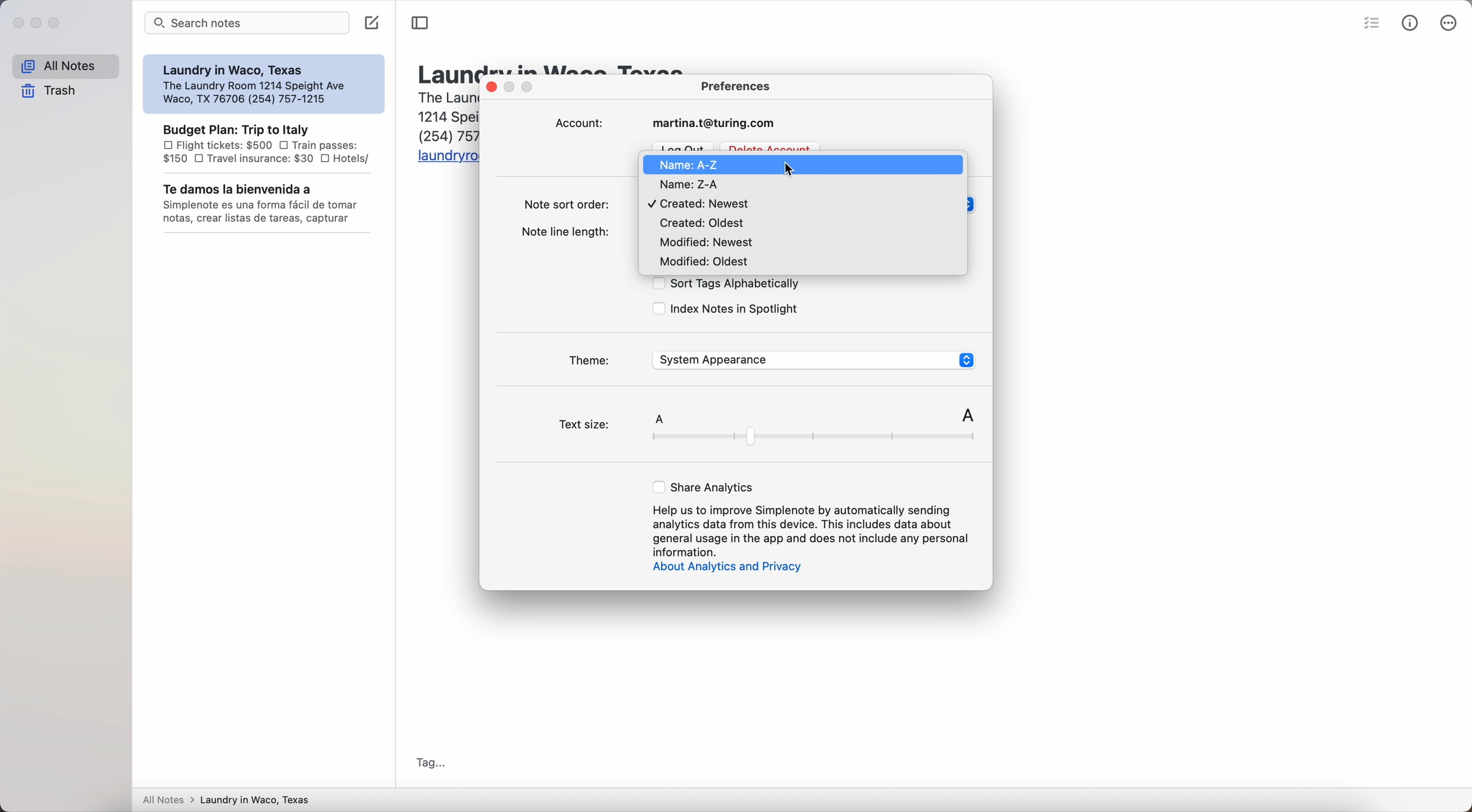  Describe the element at coordinates (531, 88) in the screenshot. I see `disable maximize popup` at that location.